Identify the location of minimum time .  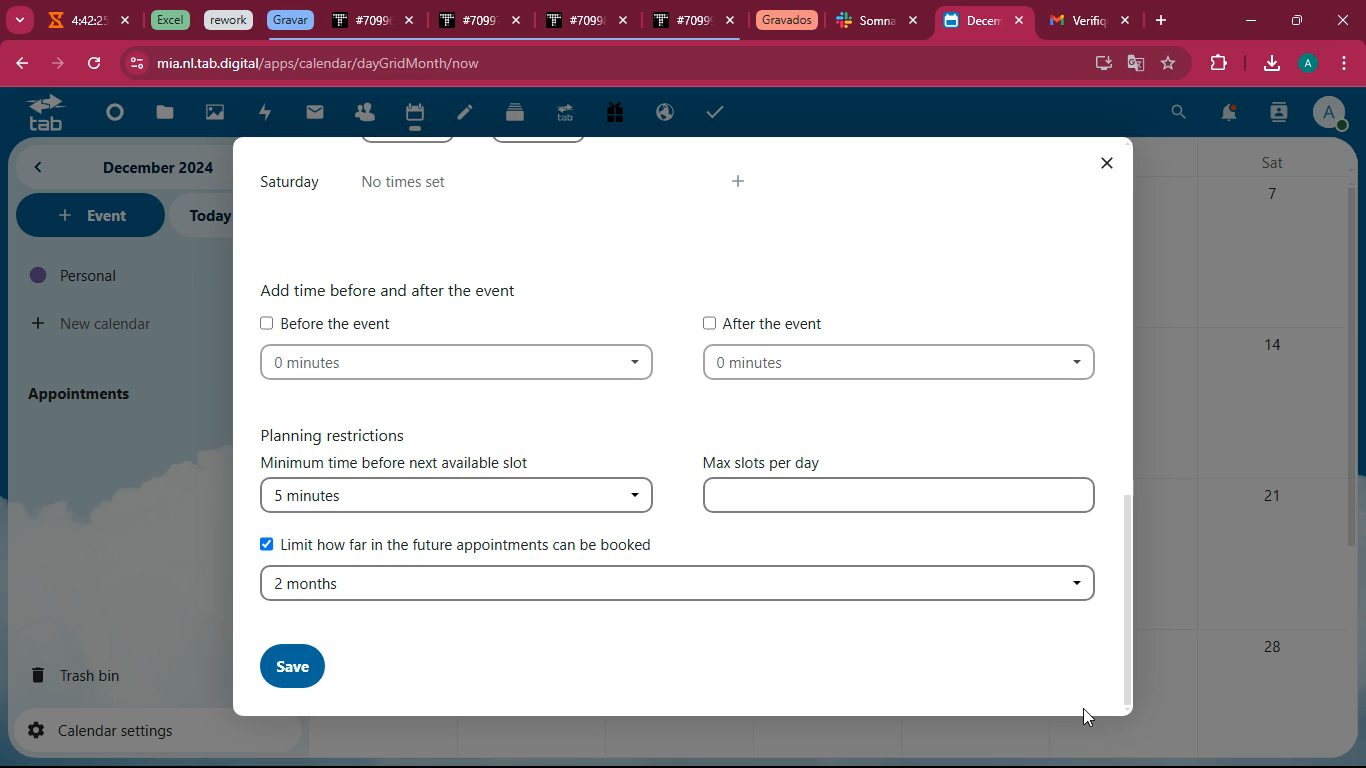
(406, 464).